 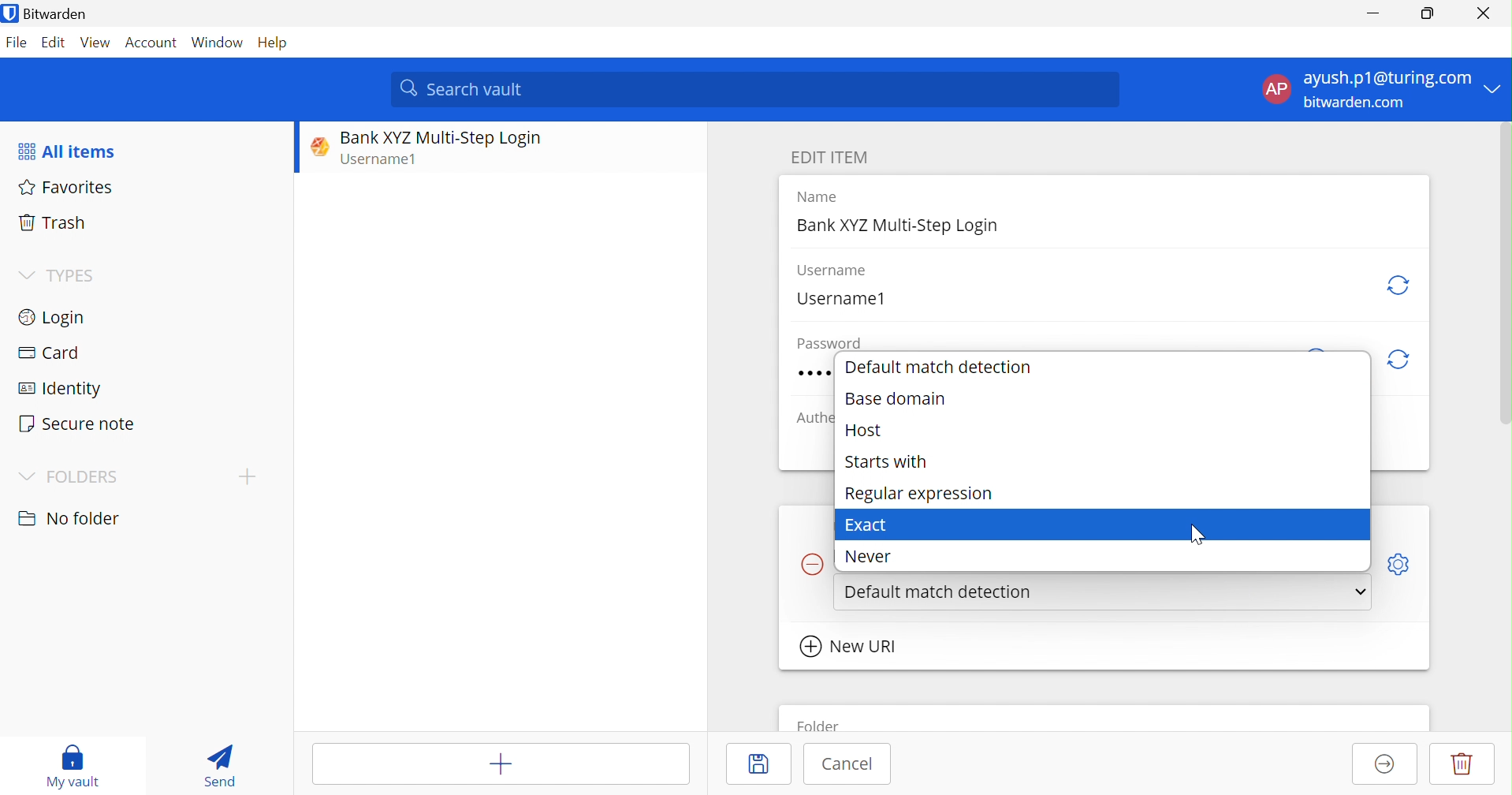 What do you see at coordinates (821, 723) in the screenshot?
I see `Folder` at bounding box center [821, 723].